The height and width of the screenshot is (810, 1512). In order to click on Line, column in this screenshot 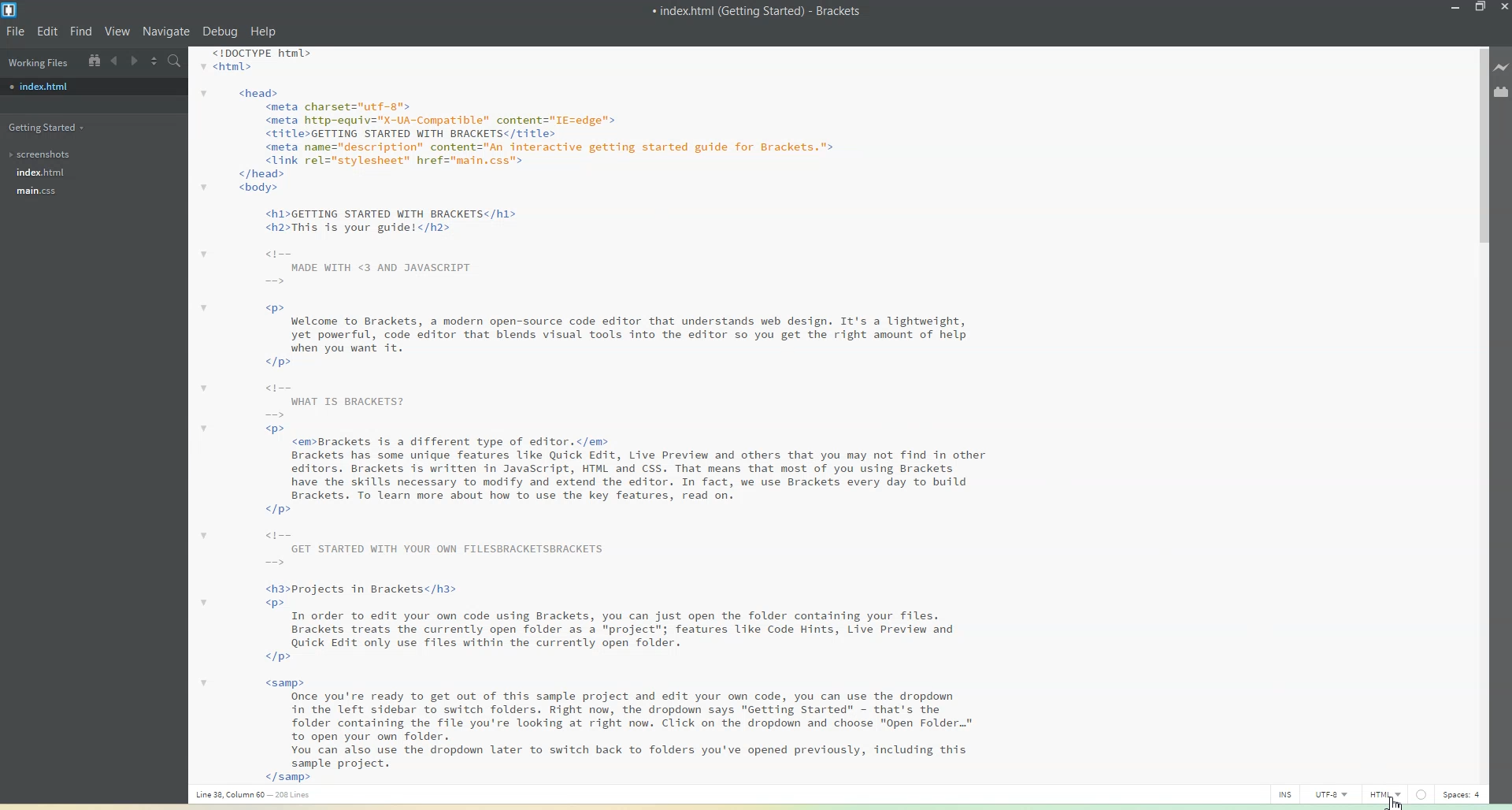, I will do `click(253, 798)`.